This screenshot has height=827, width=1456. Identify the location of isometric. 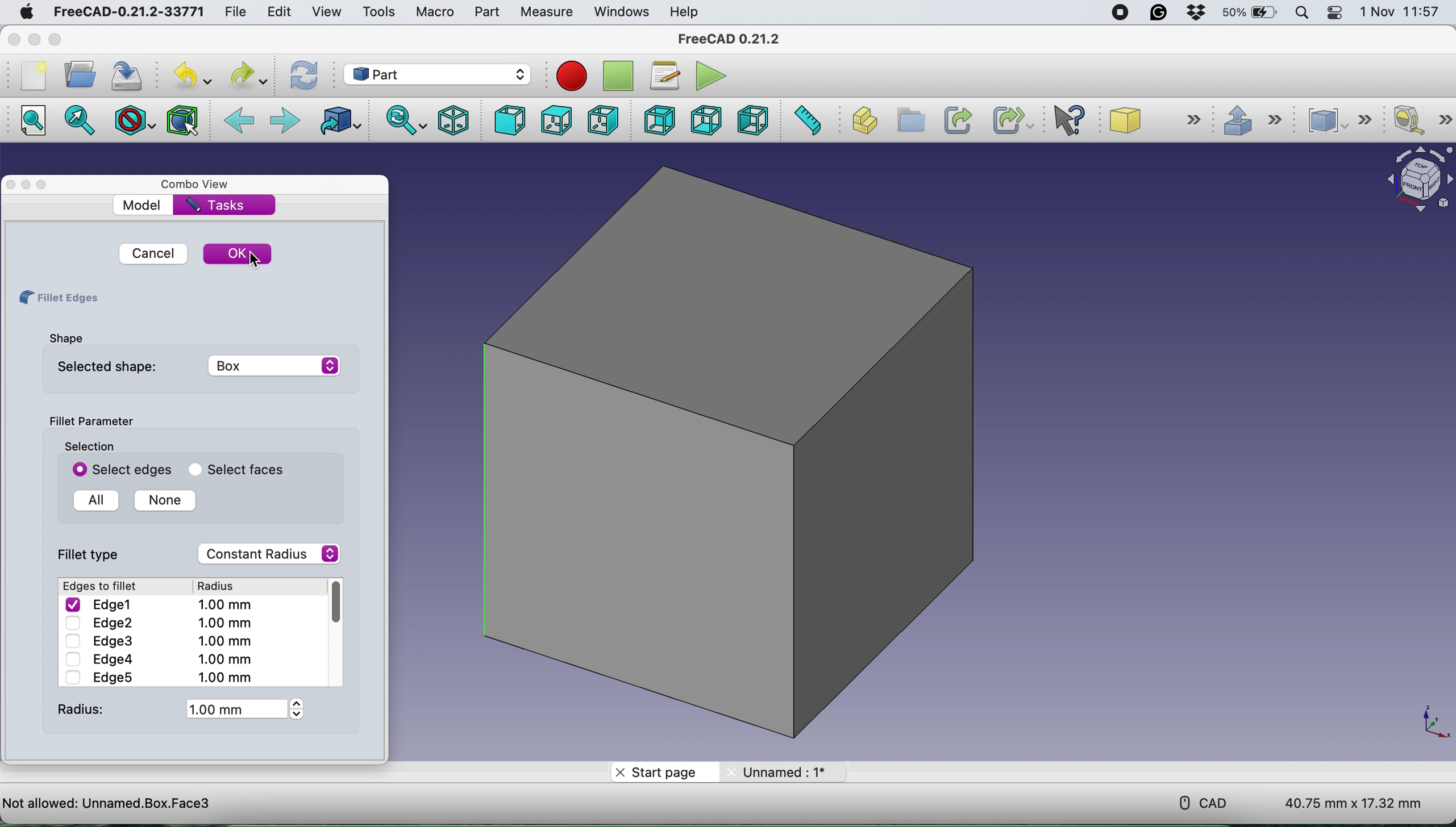
(449, 121).